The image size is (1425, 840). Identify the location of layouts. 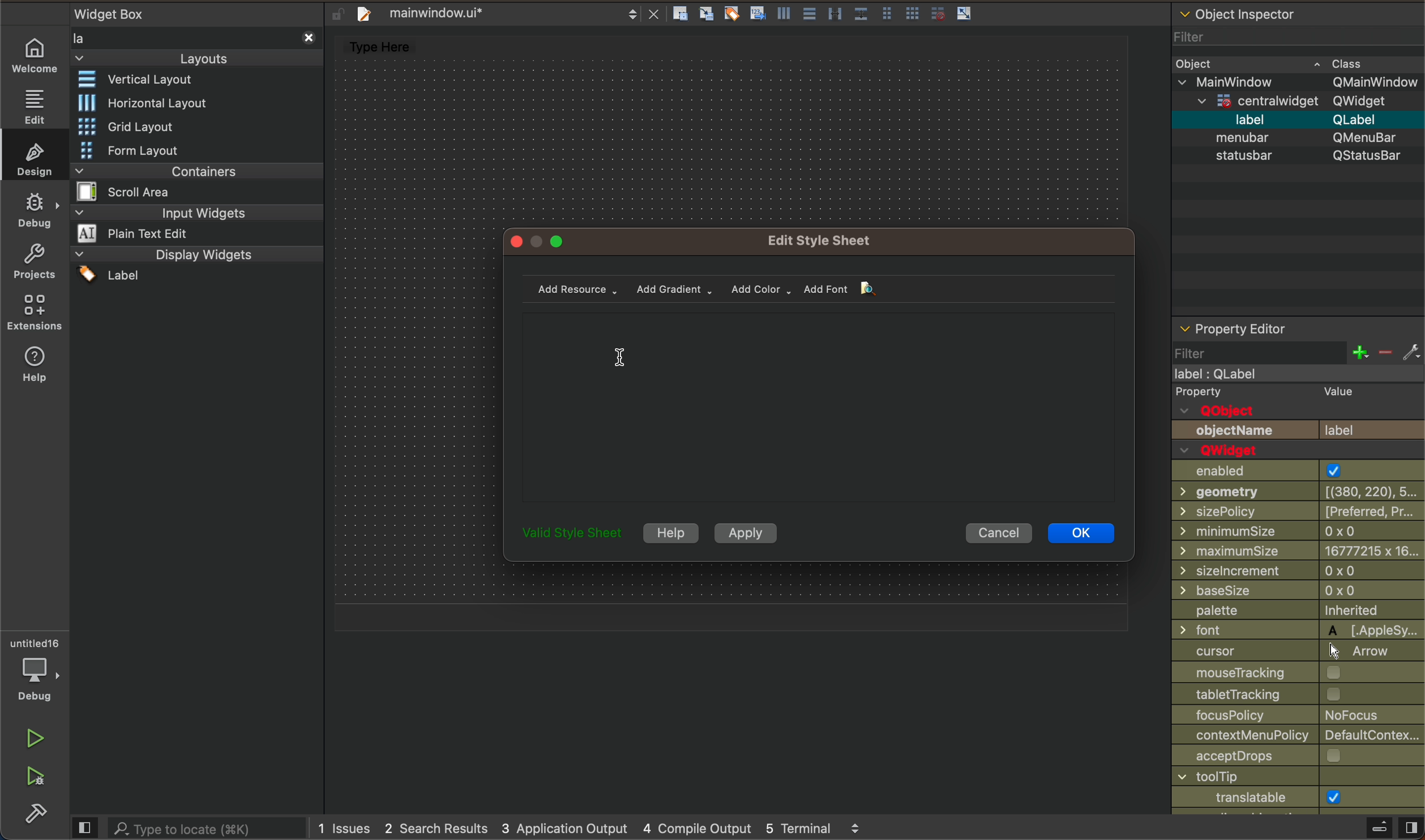
(202, 46).